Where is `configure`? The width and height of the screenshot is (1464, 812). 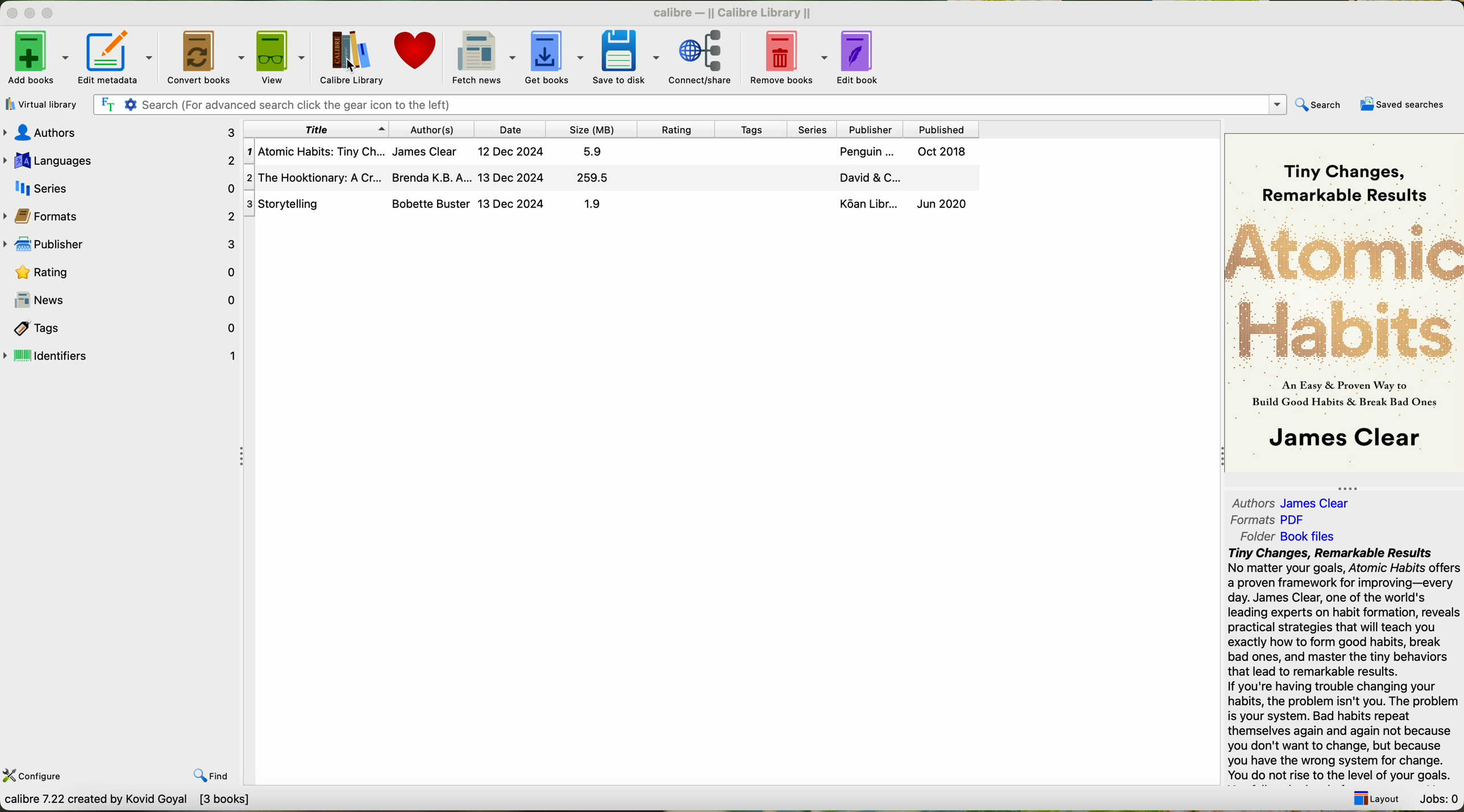
configure is located at coordinates (44, 777).